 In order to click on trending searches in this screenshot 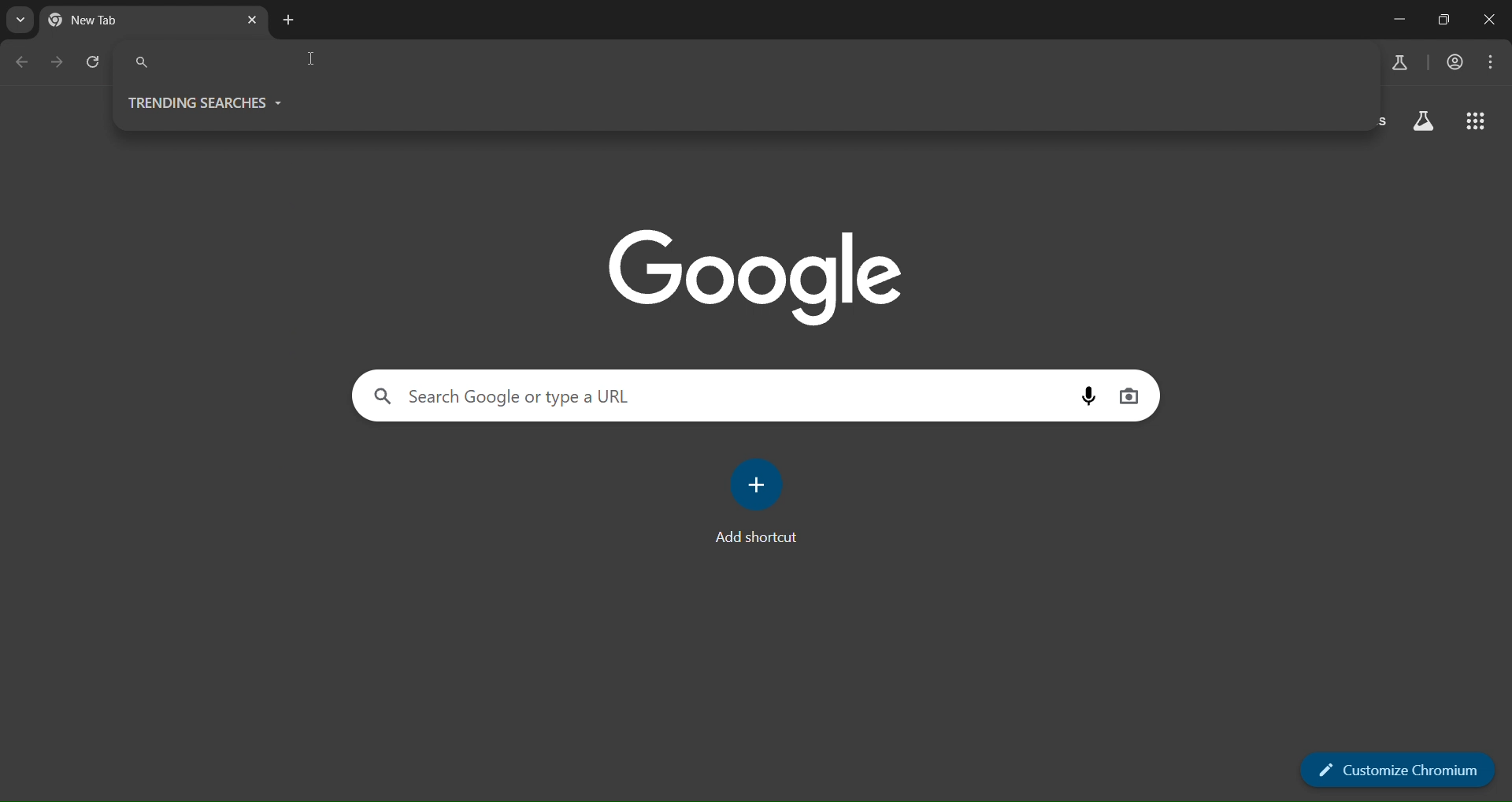, I will do `click(217, 102)`.